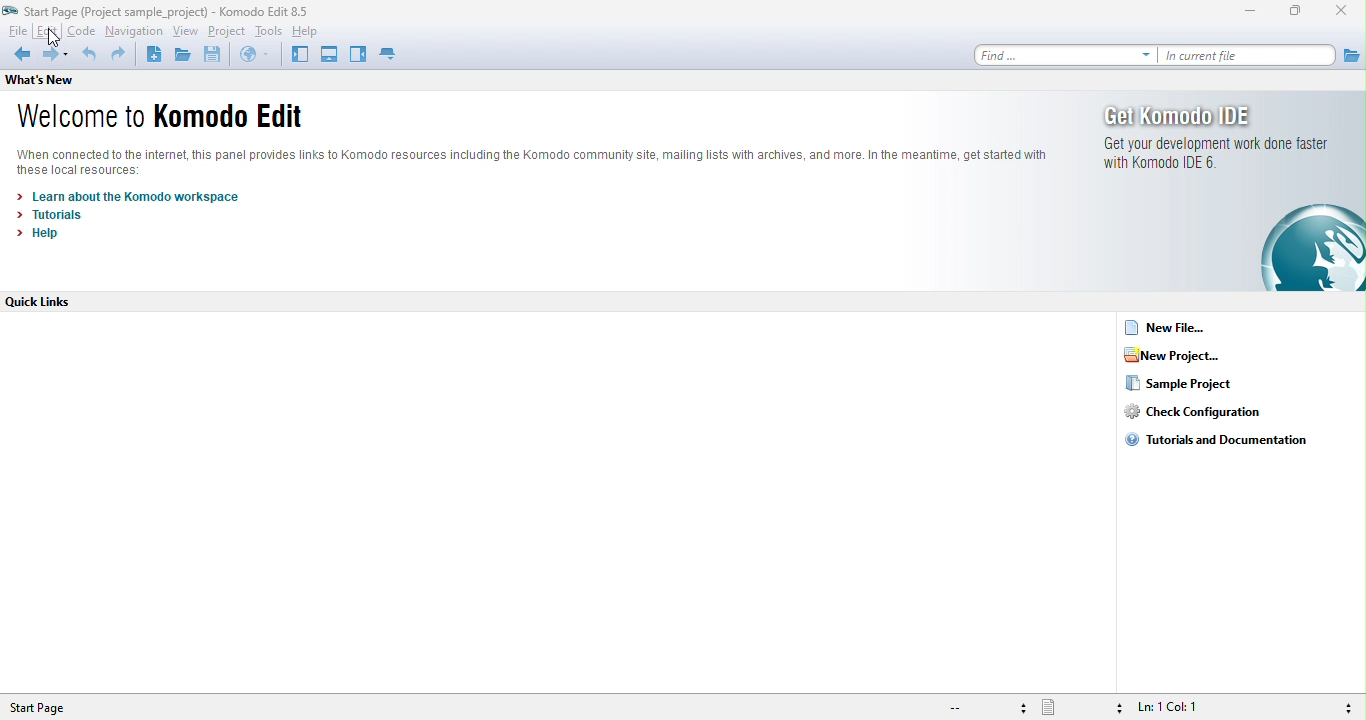 Image resolution: width=1366 pixels, height=720 pixels. I want to click on sample project, so click(1196, 385).